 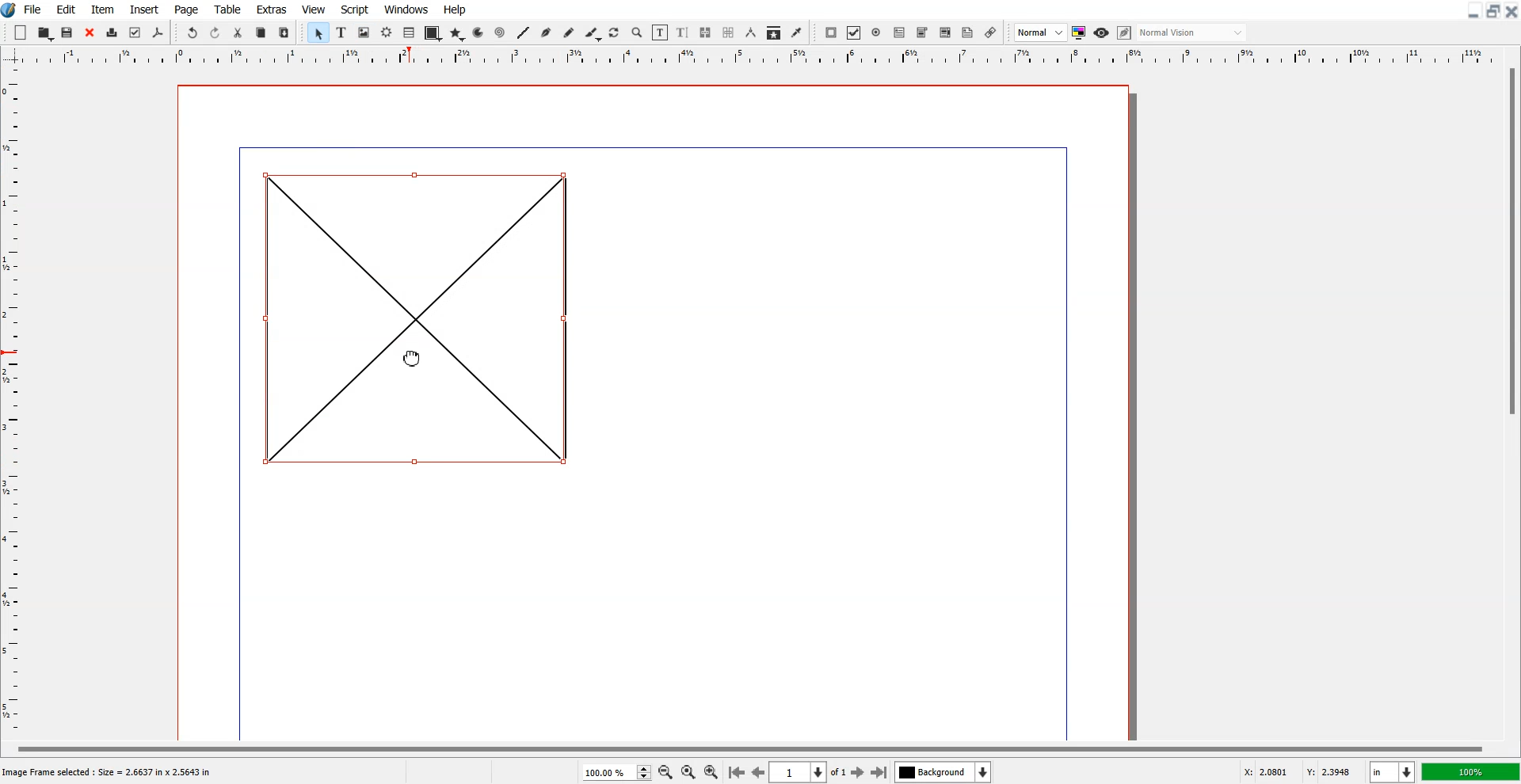 I want to click on Open, so click(x=69, y=32).